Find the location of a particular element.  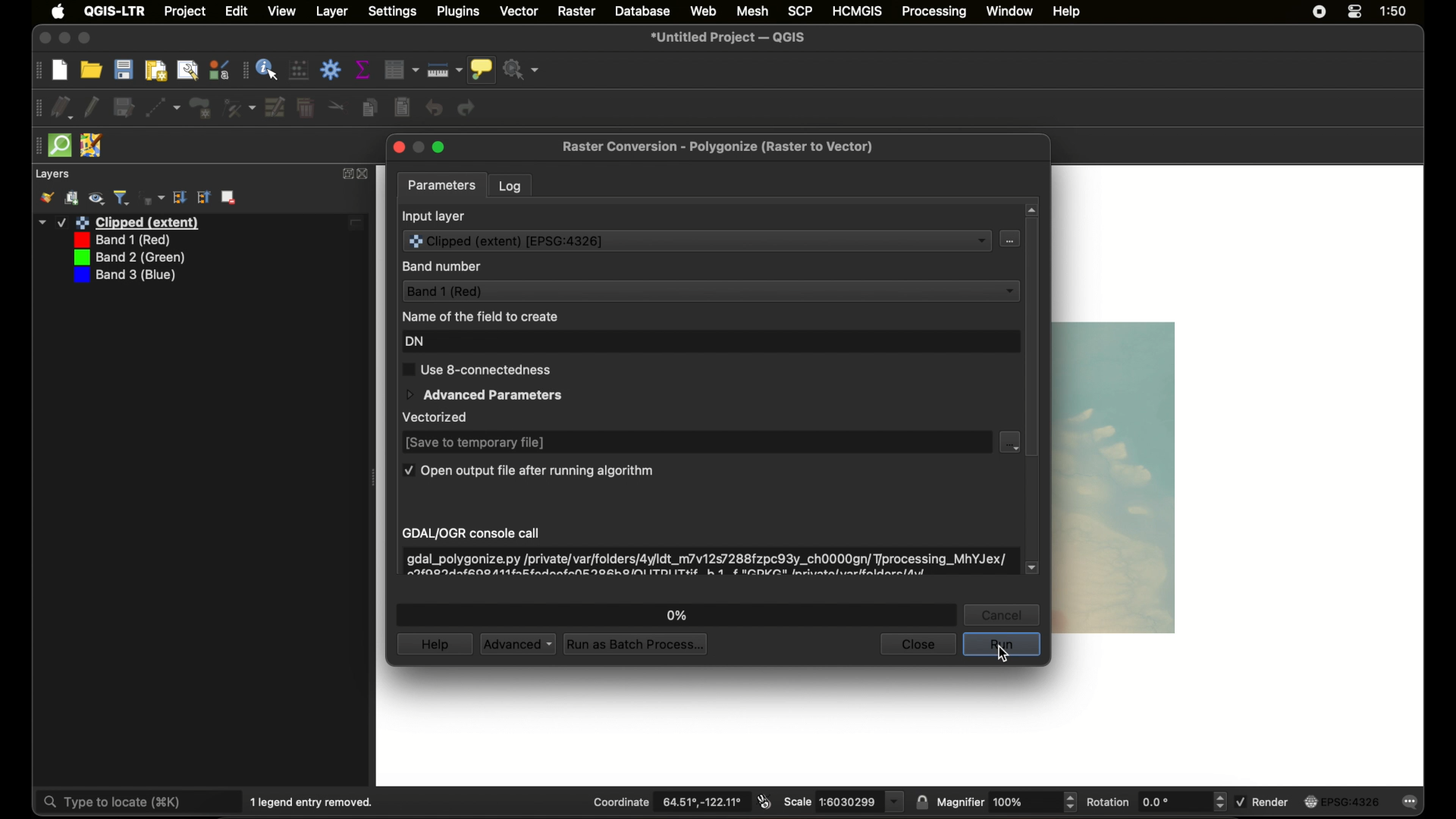

style manager is located at coordinates (220, 70).